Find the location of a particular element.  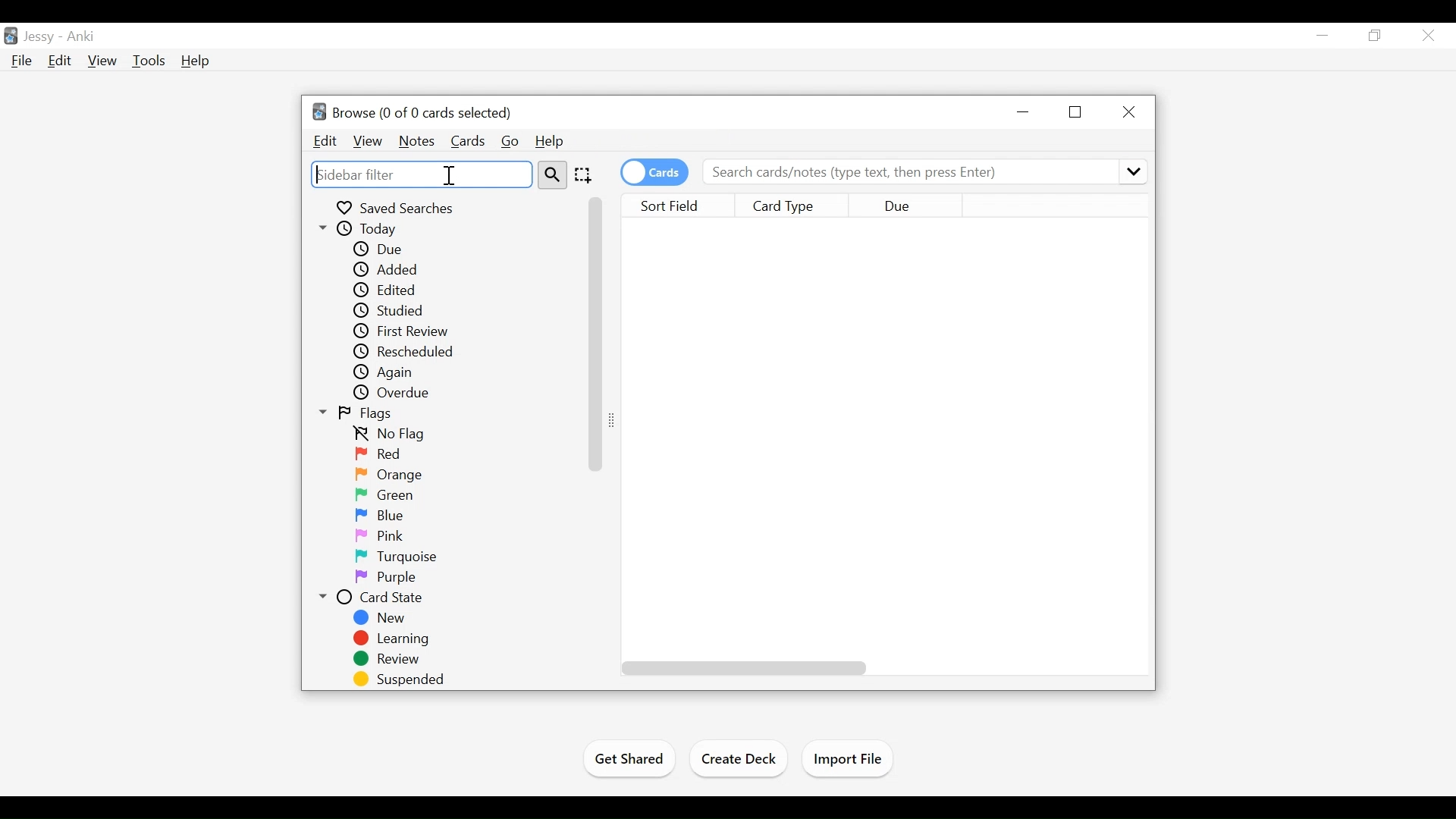

Blue is located at coordinates (389, 516).